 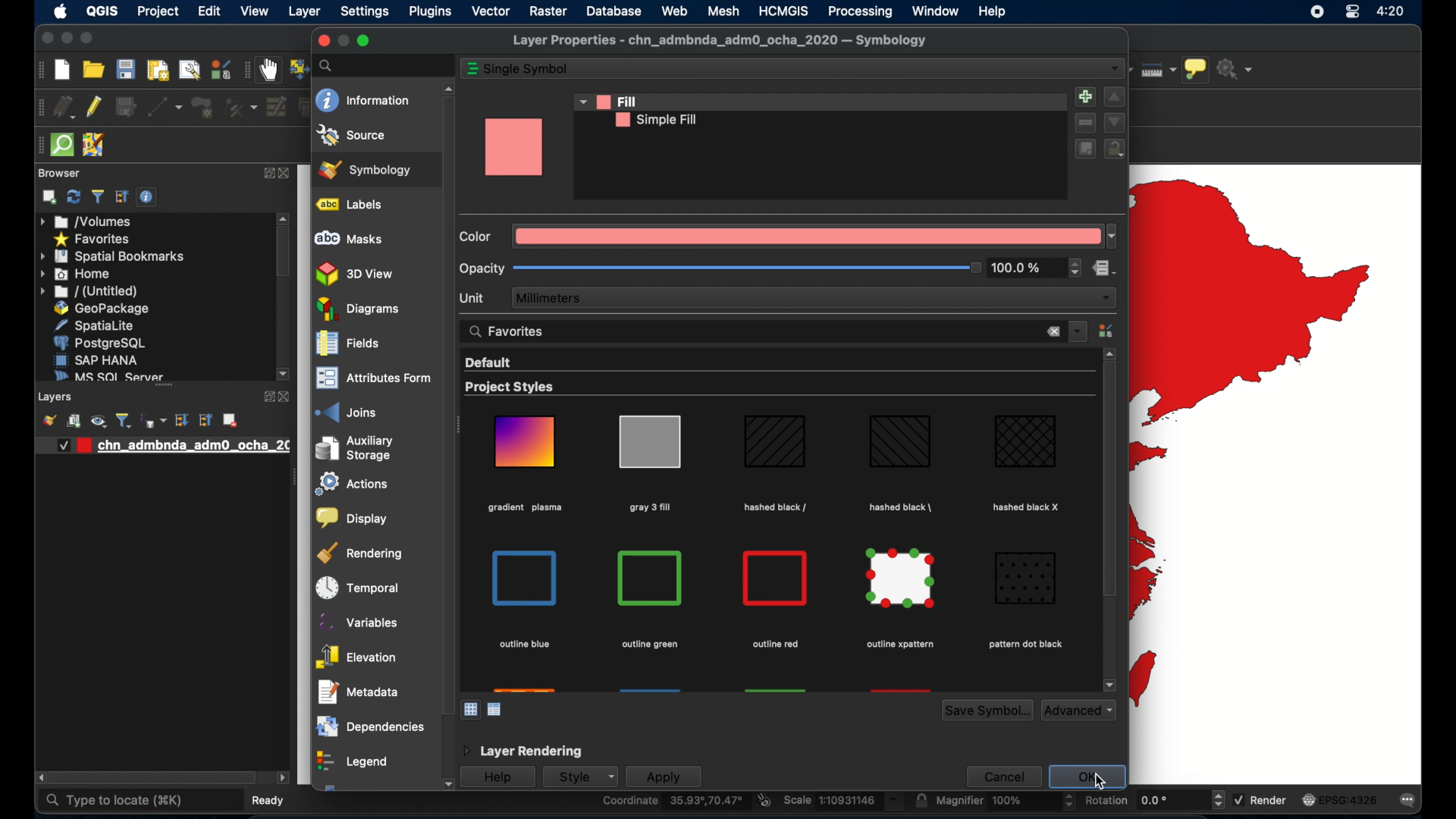 What do you see at coordinates (1069, 802) in the screenshot?
I see `increase or decrease magnifier value` at bounding box center [1069, 802].